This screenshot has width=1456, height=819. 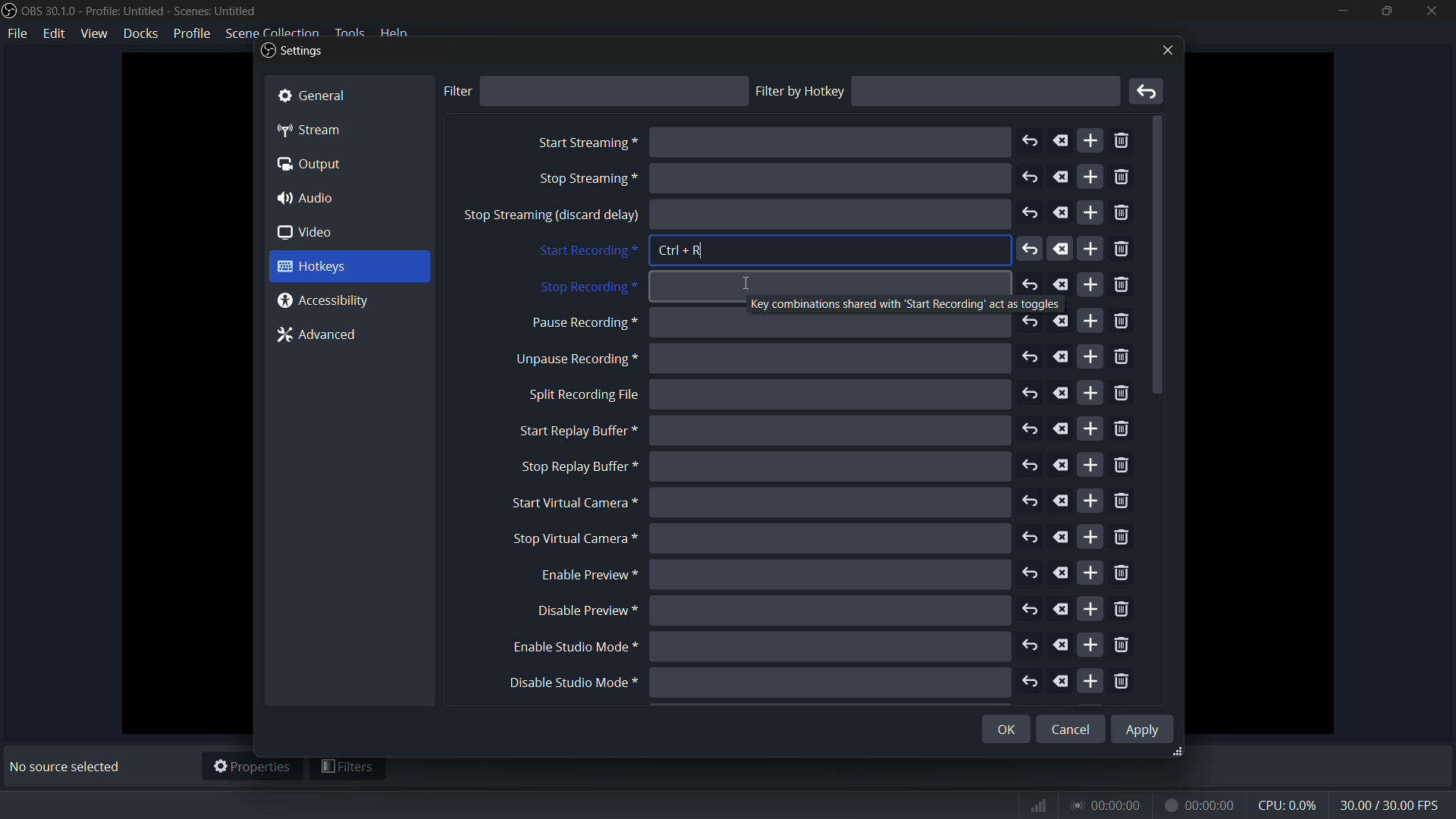 What do you see at coordinates (319, 129) in the screenshot?
I see `“4p Stream` at bounding box center [319, 129].